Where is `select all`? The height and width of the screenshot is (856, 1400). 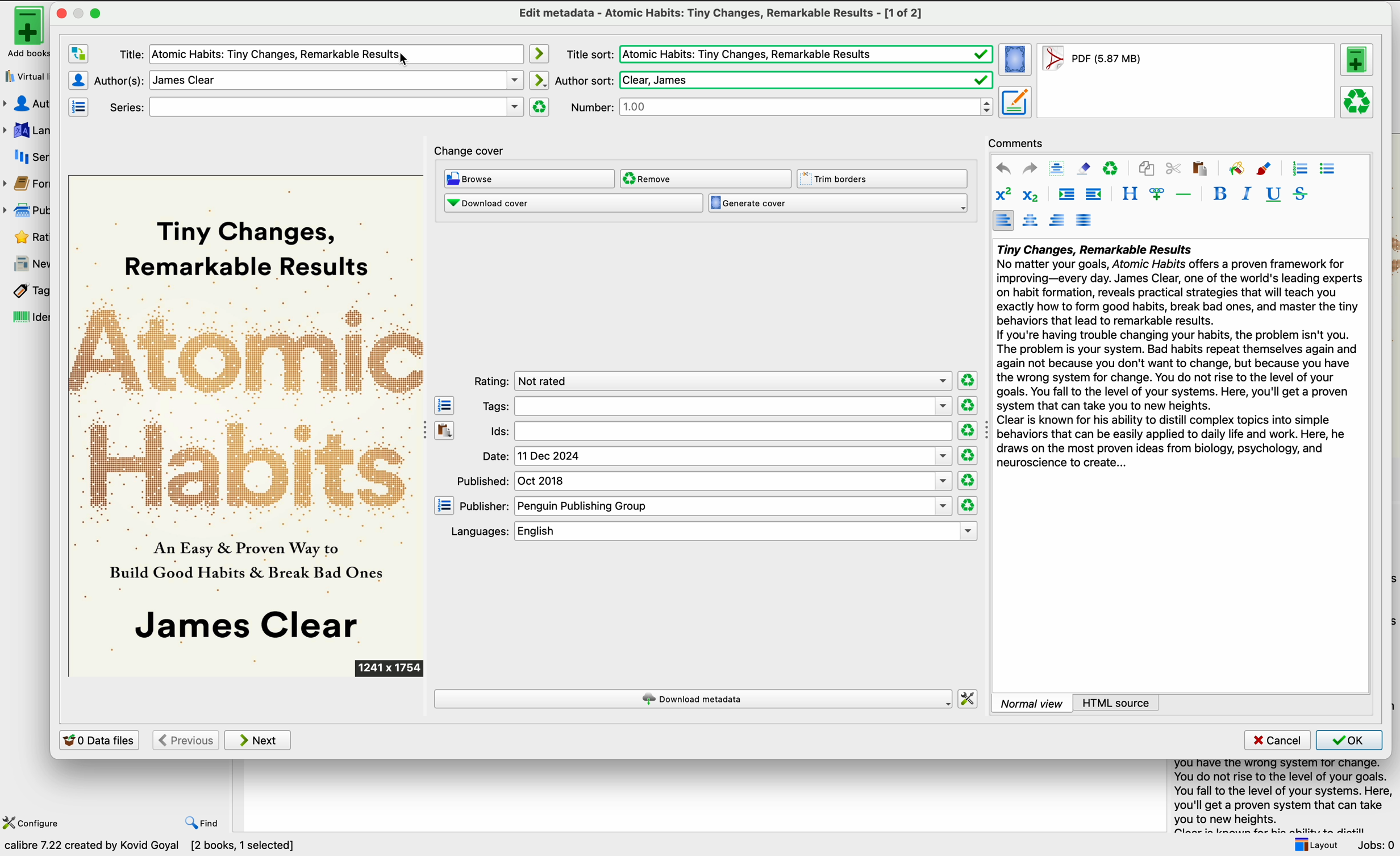
select all is located at coordinates (1057, 168).